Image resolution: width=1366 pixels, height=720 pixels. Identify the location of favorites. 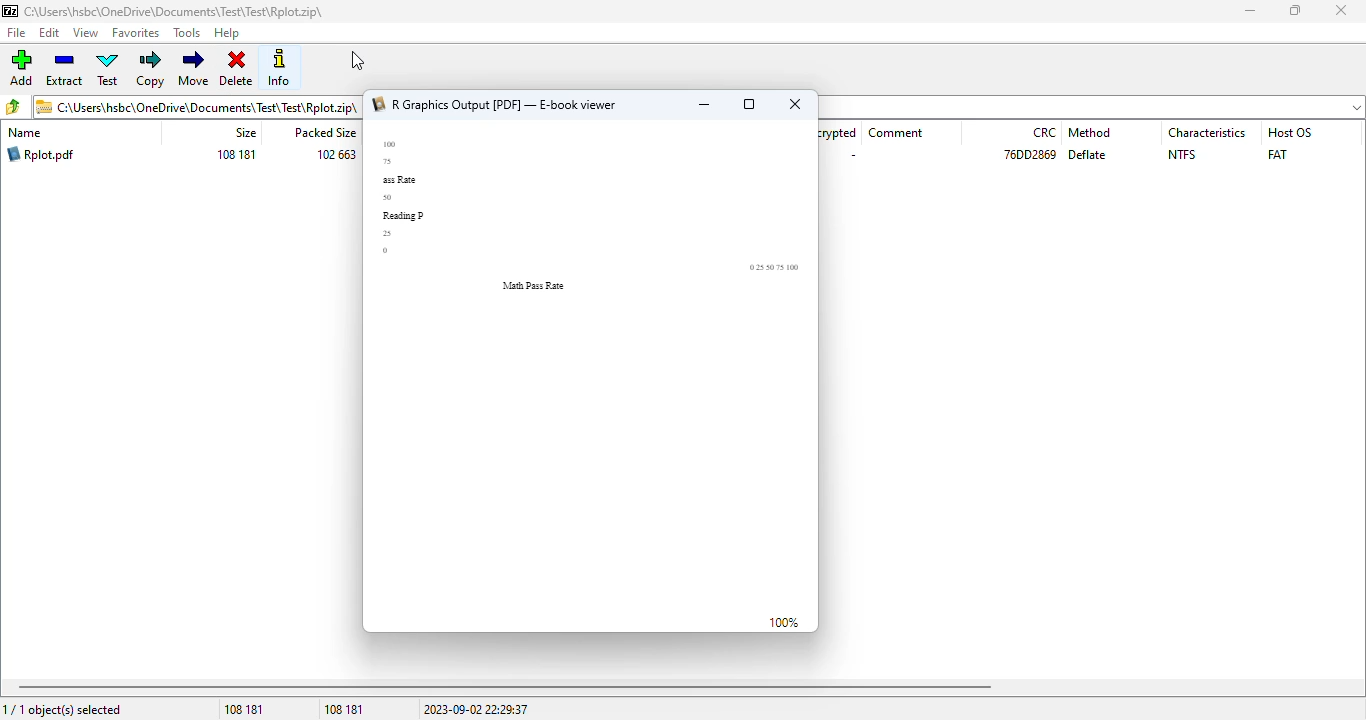
(136, 33).